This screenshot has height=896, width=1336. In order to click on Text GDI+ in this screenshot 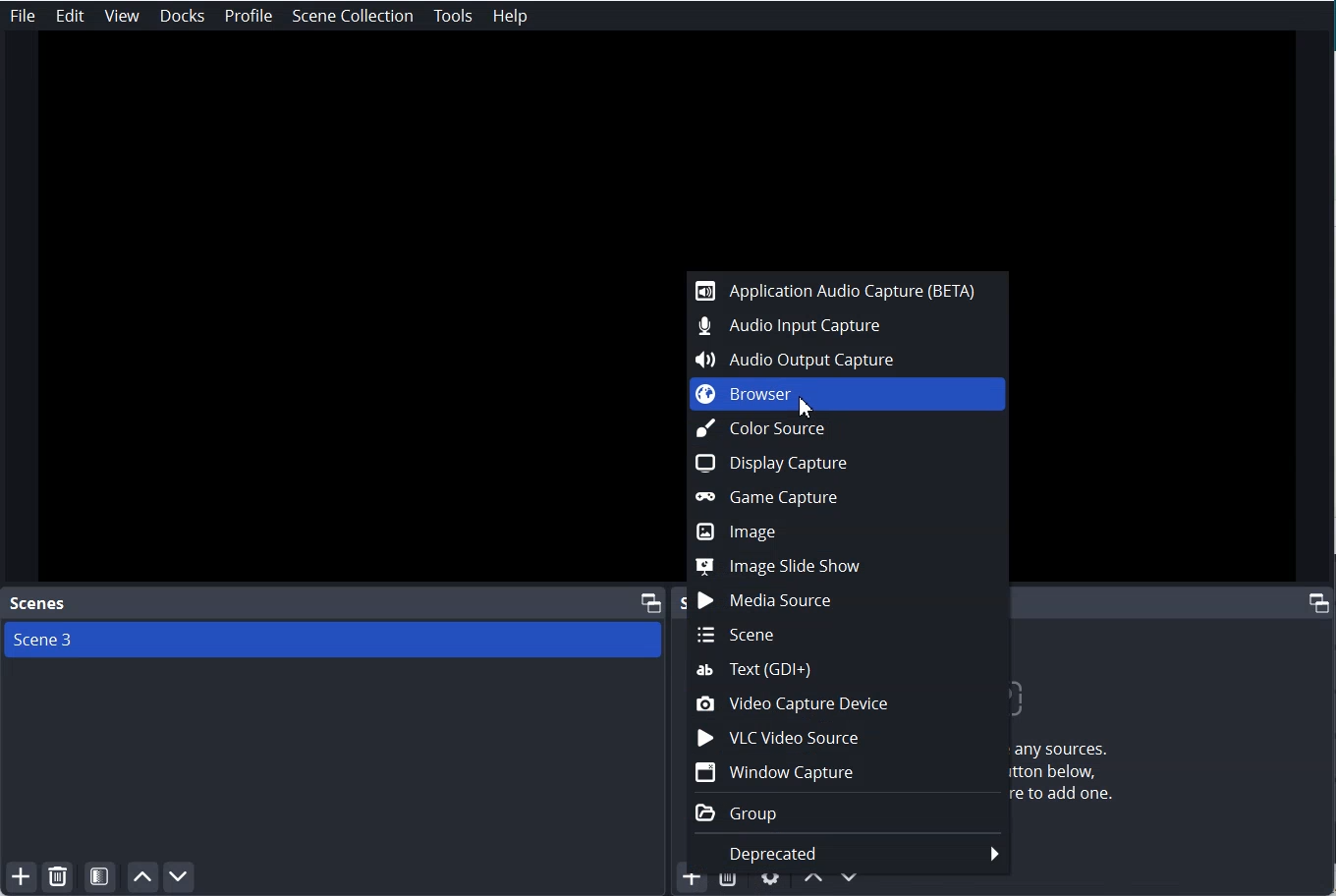, I will do `click(849, 668)`.